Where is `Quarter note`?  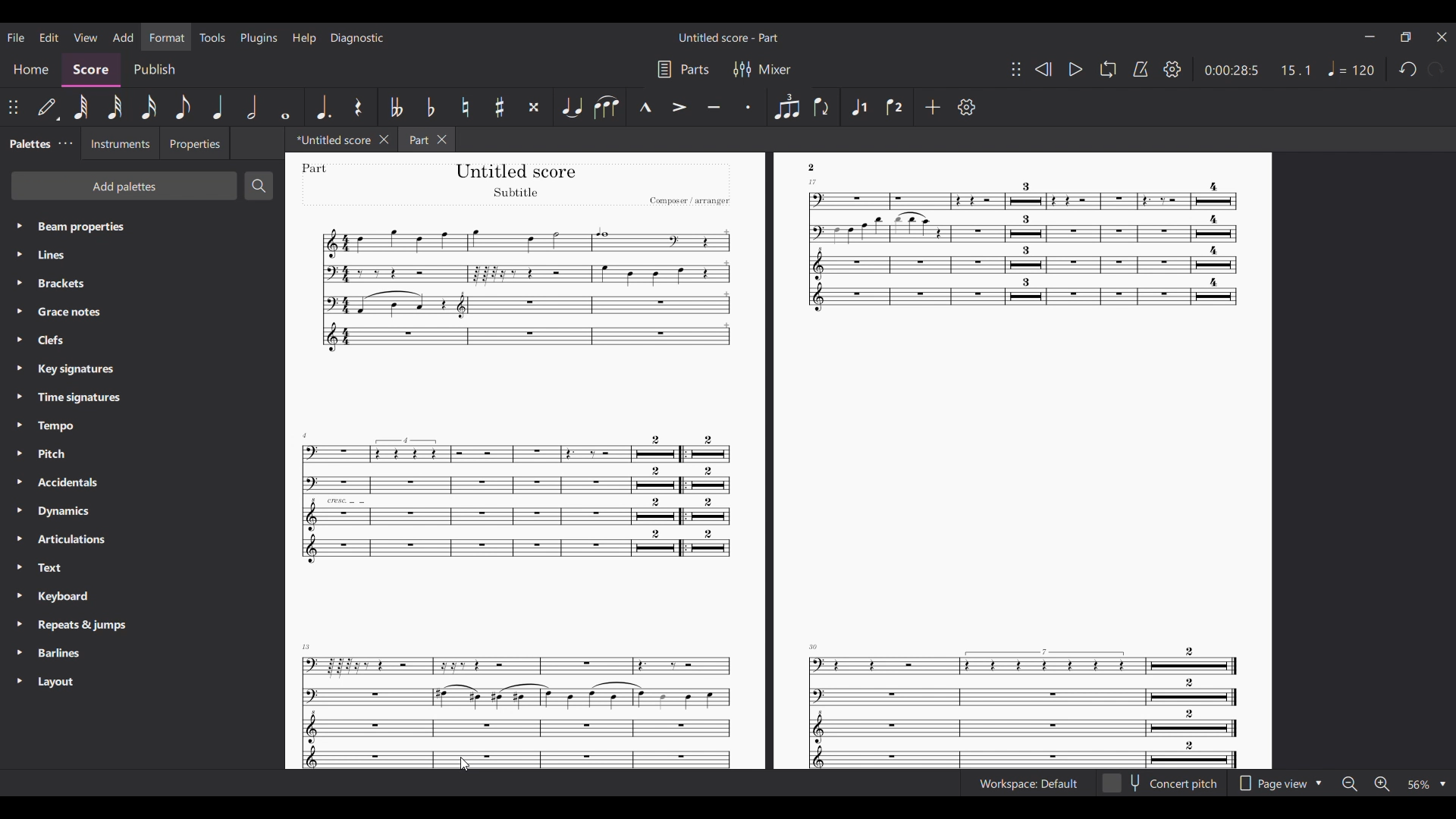 Quarter note is located at coordinates (218, 106).